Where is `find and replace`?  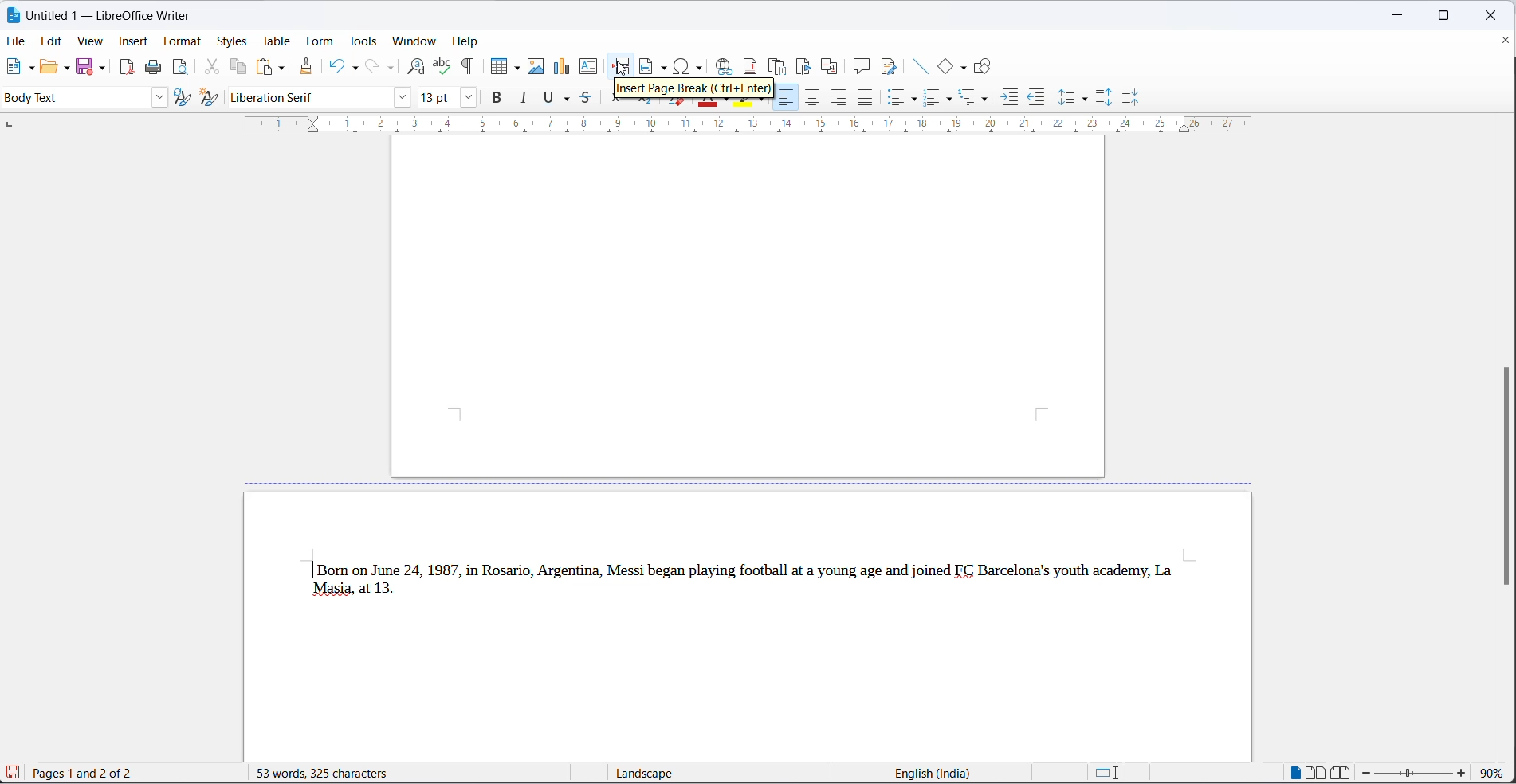 find and replace is located at coordinates (415, 68).